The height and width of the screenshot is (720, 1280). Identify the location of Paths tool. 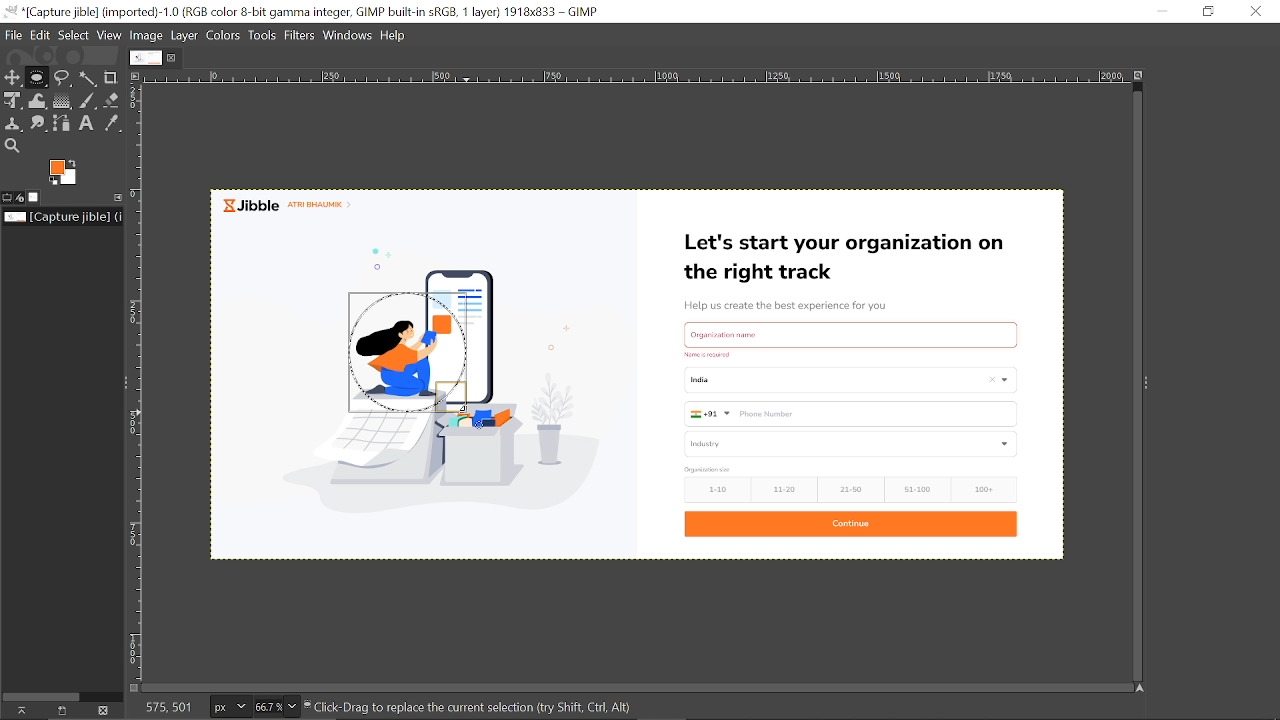
(64, 122).